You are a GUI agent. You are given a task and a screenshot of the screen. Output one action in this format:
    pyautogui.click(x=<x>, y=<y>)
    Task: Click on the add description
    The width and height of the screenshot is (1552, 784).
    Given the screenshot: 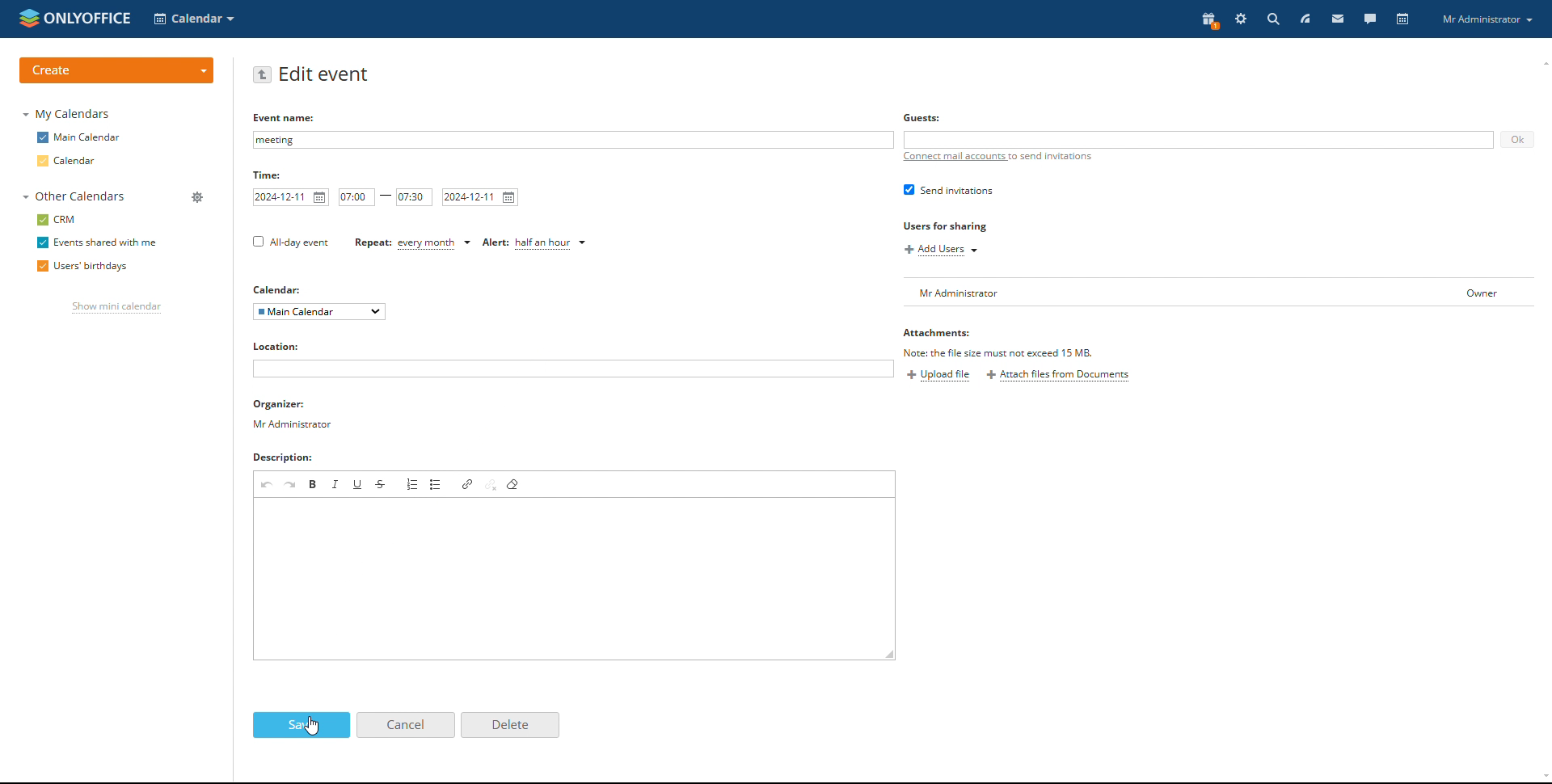 What is the action you would take?
    pyautogui.click(x=576, y=576)
    